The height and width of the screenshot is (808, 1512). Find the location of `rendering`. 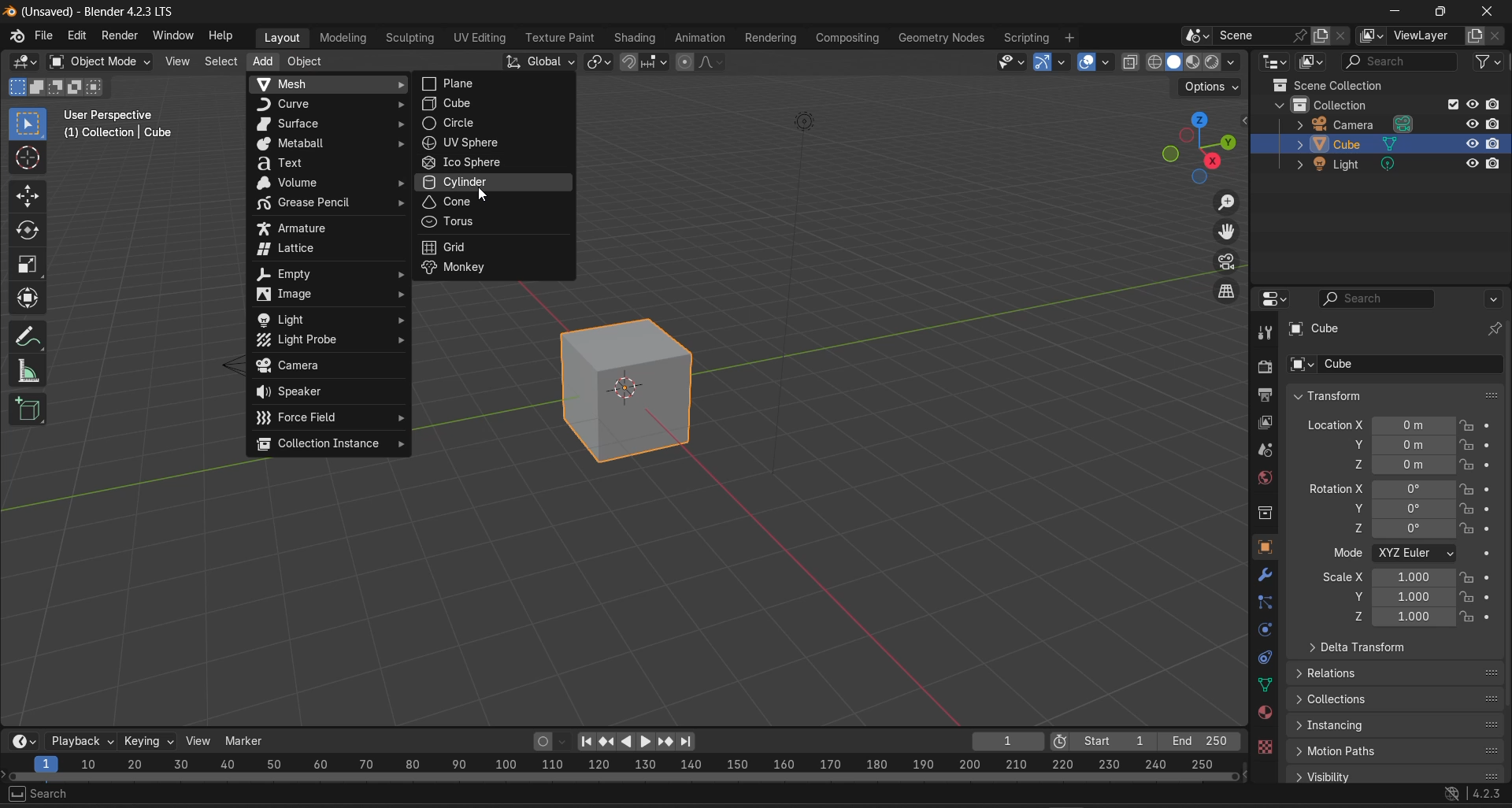

rendering is located at coordinates (774, 38).